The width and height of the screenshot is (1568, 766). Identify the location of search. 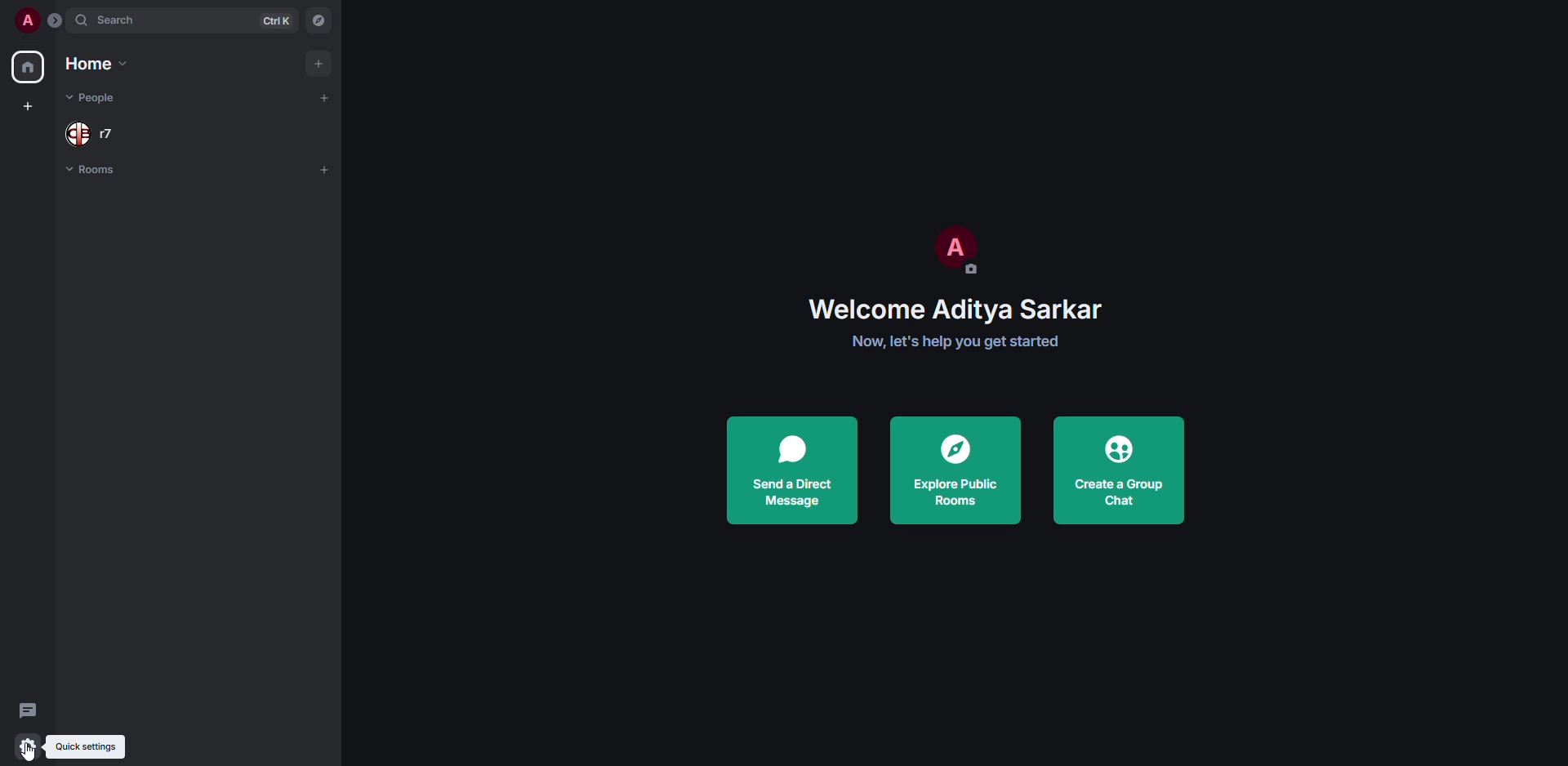
(119, 21).